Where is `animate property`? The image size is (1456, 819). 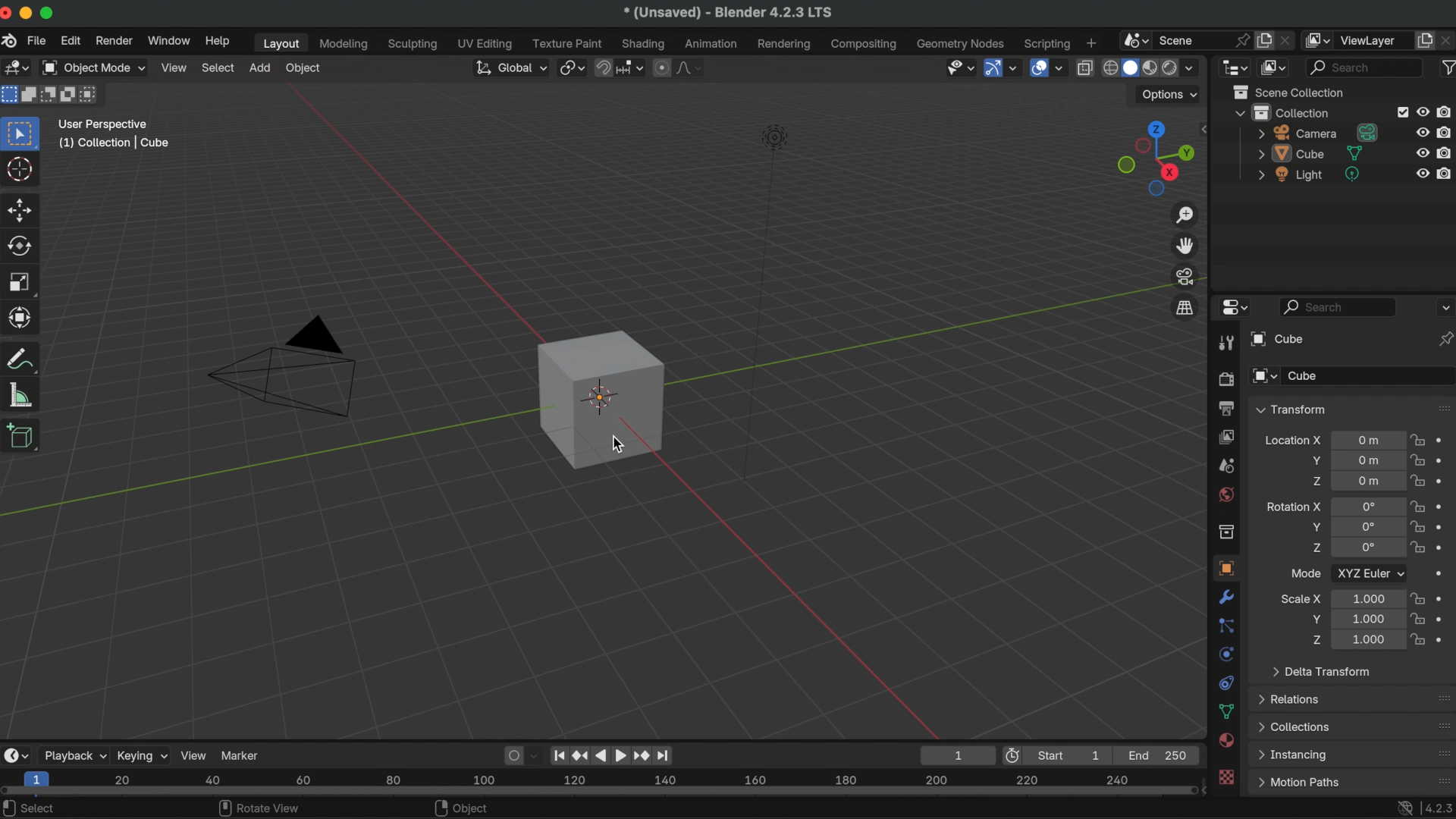 animate property is located at coordinates (1445, 506).